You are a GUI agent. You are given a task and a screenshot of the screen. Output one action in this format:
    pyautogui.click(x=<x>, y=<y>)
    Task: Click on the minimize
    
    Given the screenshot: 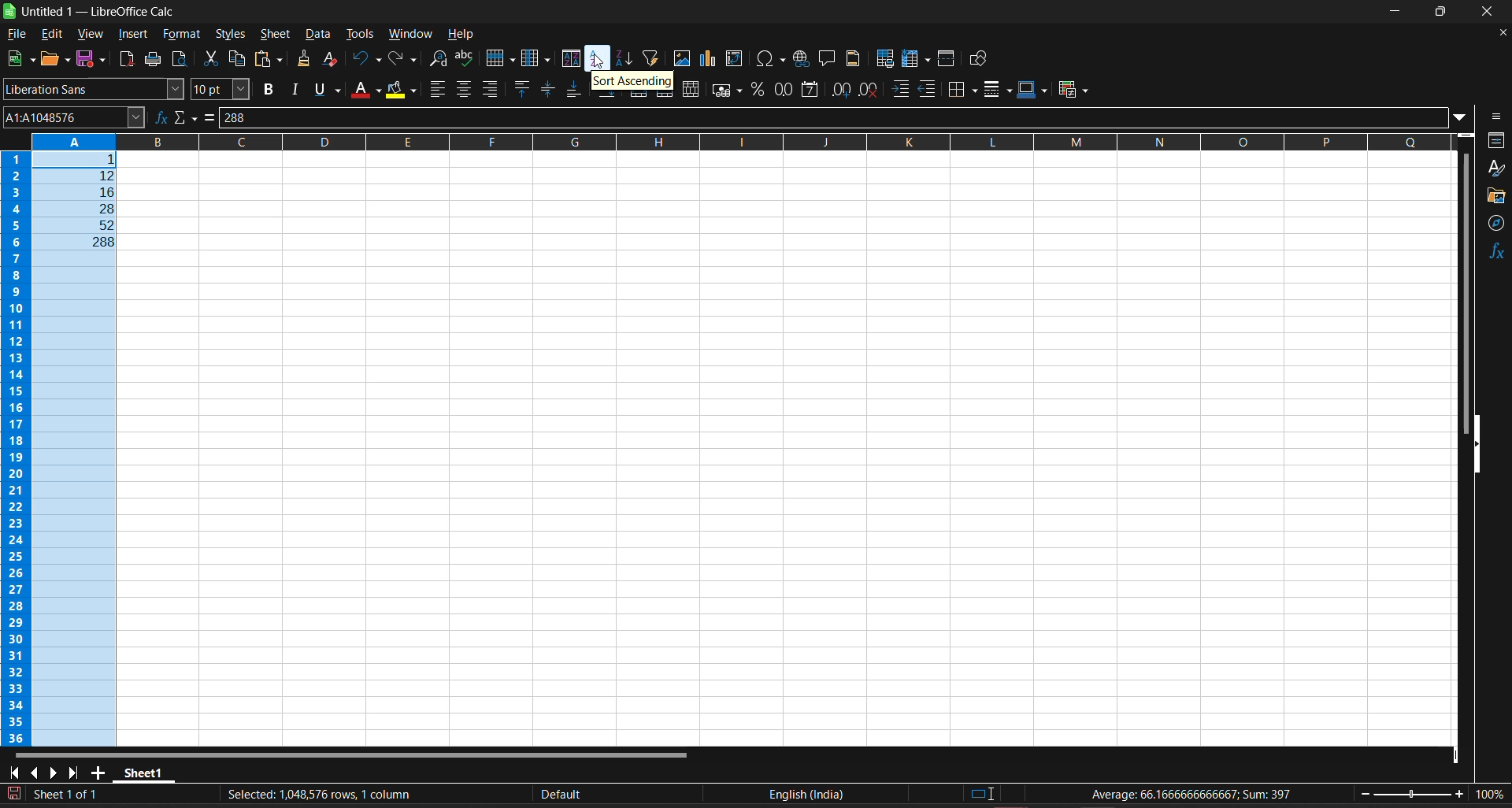 What is the action you would take?
    pyautogui.click(x=1398, y=10)
    